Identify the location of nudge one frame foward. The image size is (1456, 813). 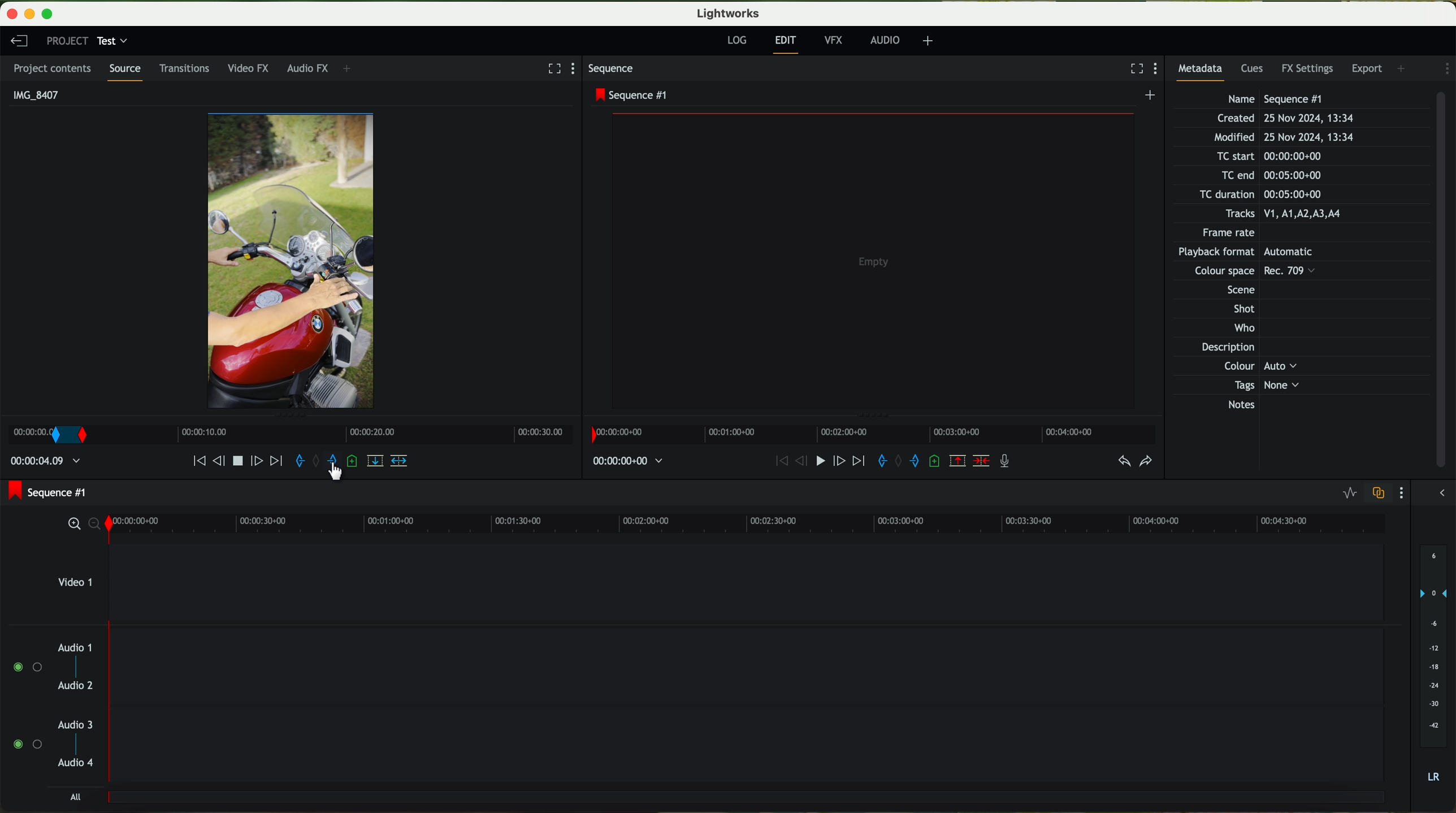
(836, 461).